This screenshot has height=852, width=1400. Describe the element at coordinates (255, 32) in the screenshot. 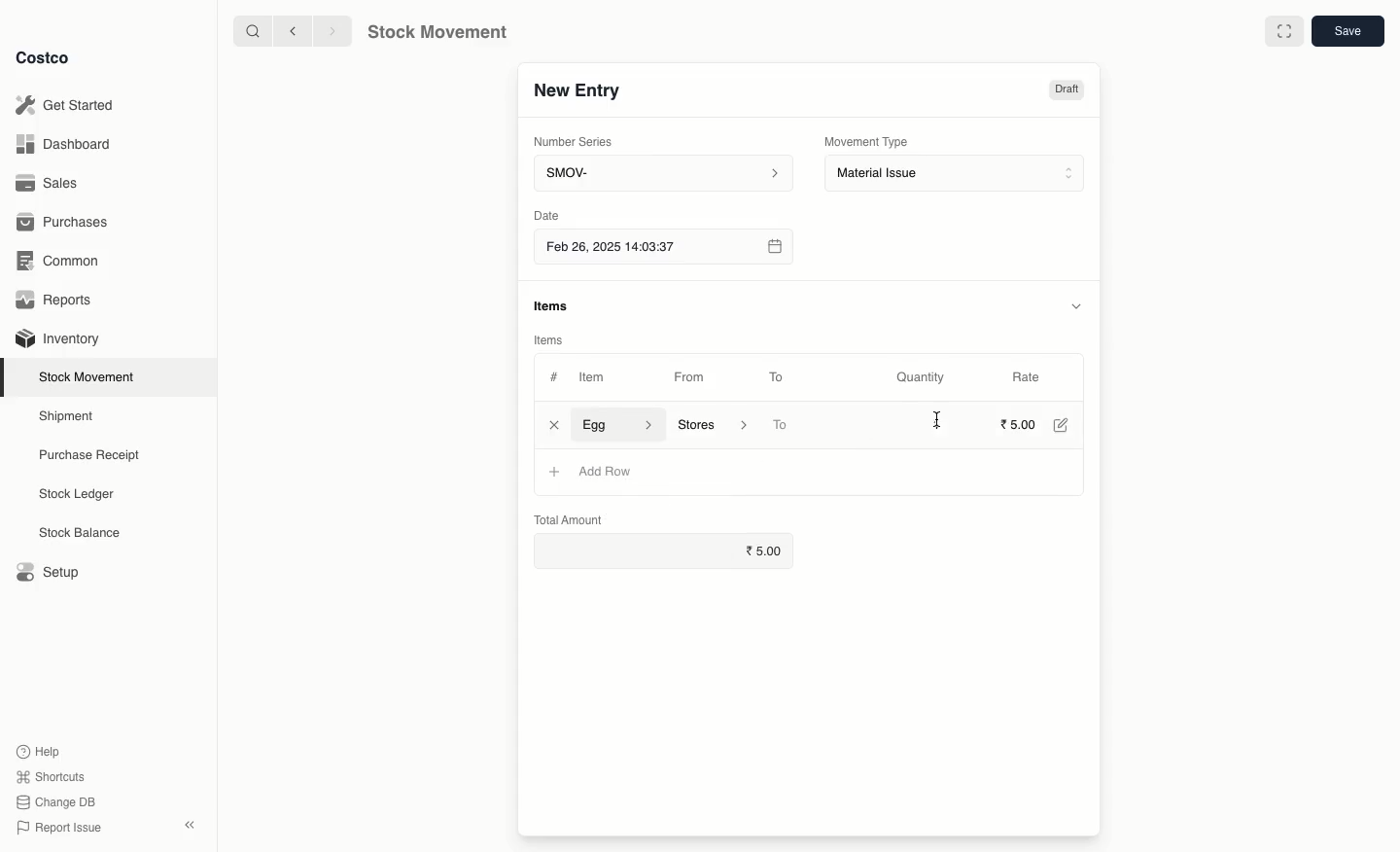

I see `search` at that location.